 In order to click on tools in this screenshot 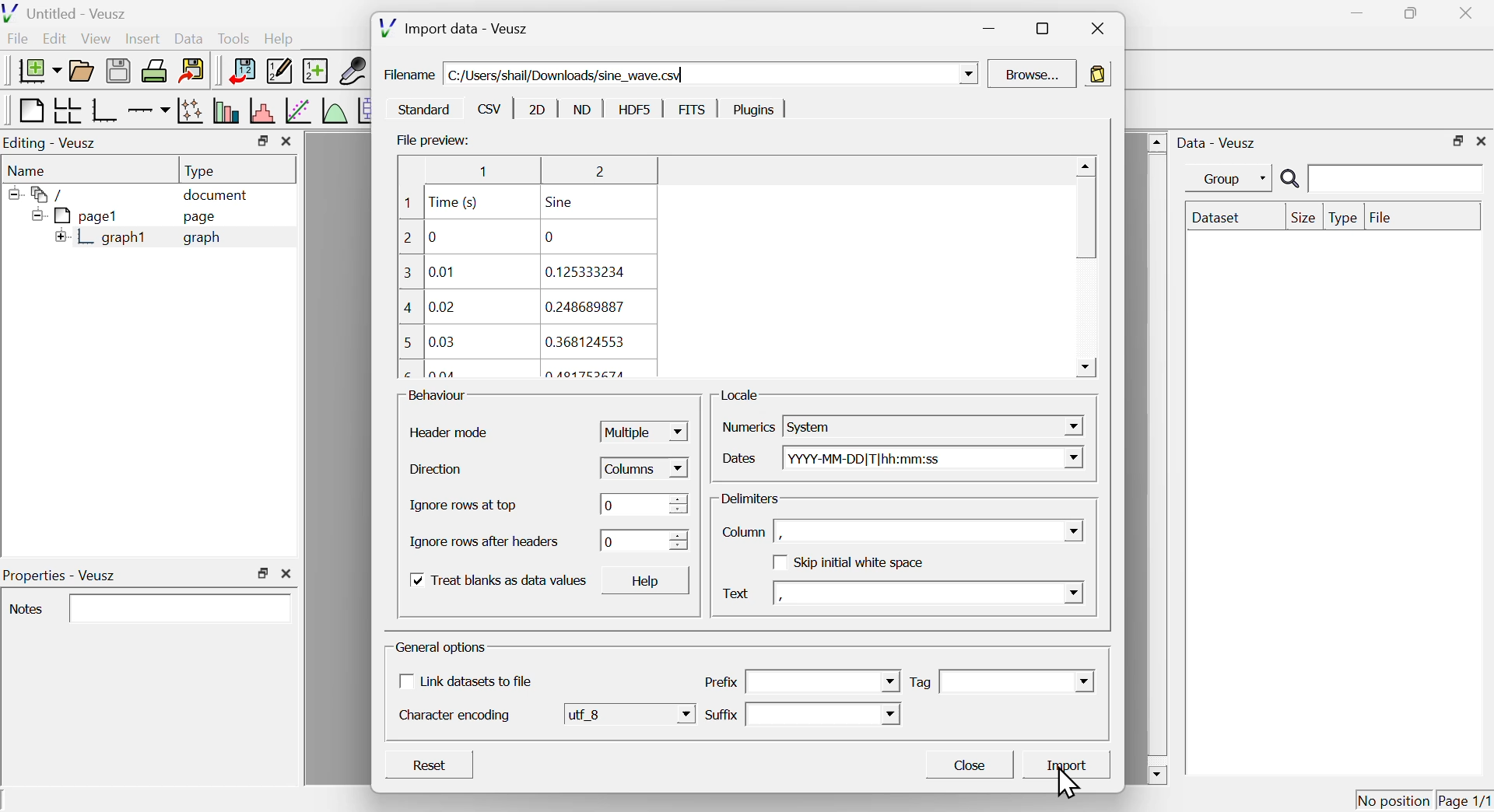, I will do `click(235, 37)`.